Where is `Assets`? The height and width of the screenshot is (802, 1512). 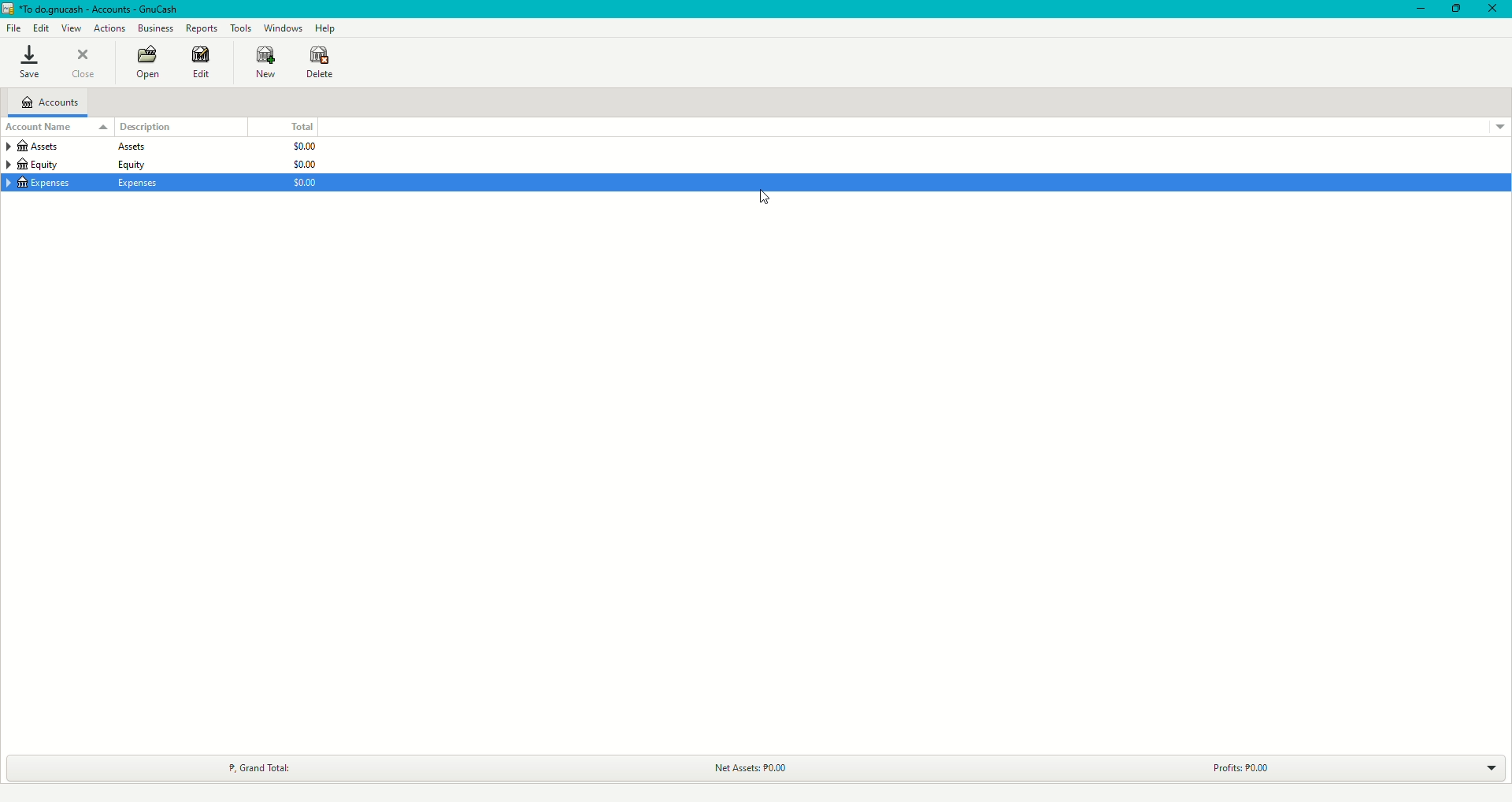 Assets is located at coordinates (74, 149).